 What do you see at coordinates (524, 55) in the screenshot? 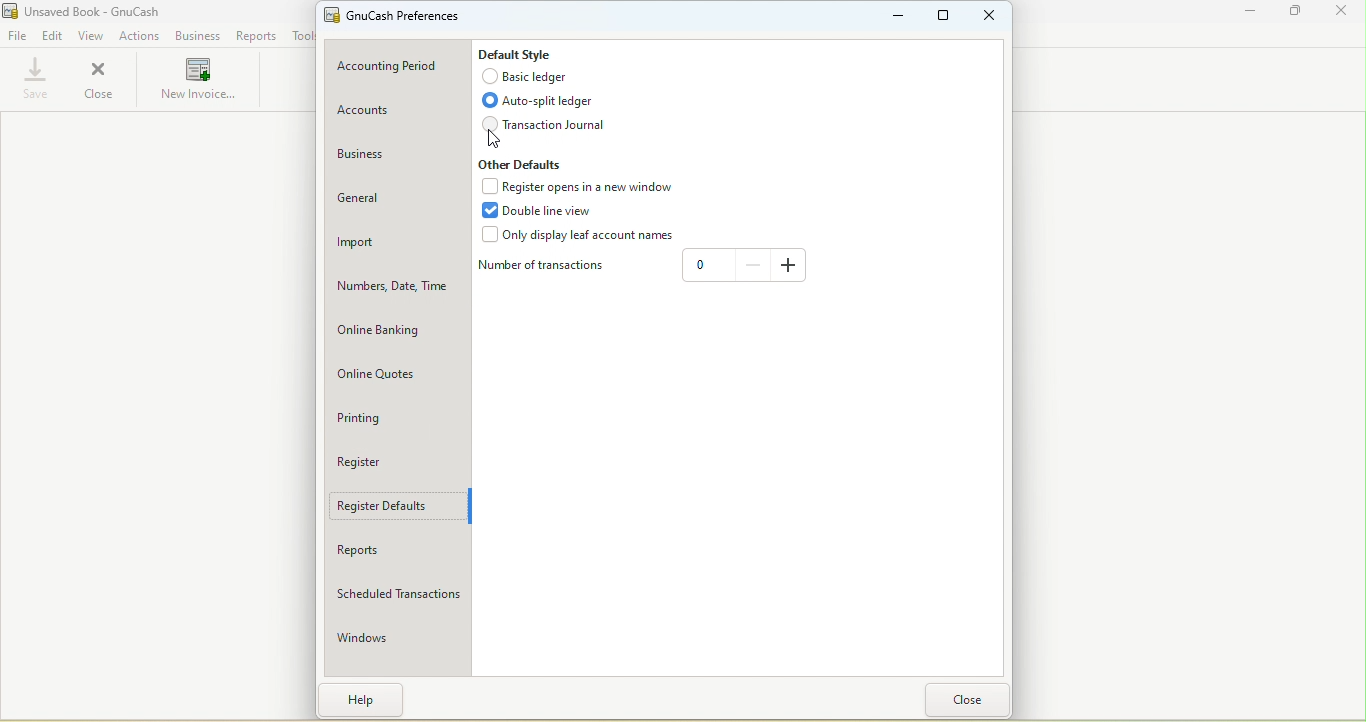
I see `Default style` at bounding box center [524, 55].